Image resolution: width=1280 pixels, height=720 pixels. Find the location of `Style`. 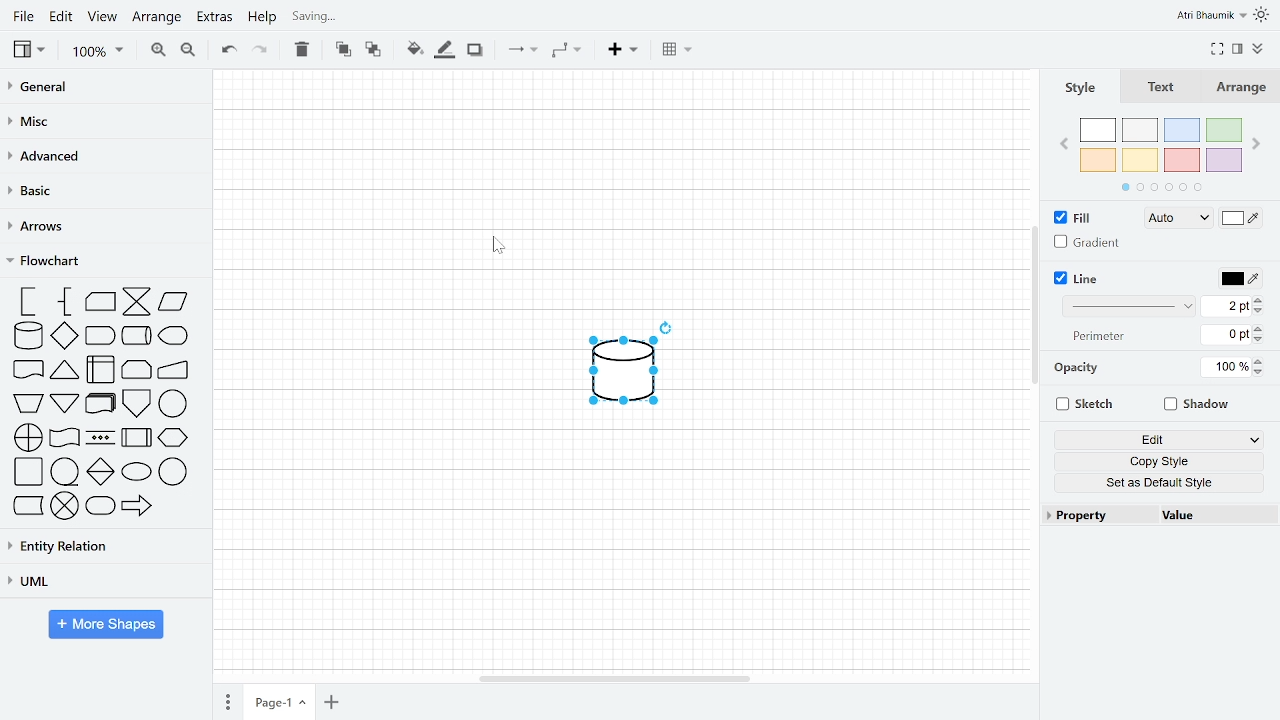

Style is located at coordinates (1081, 87).